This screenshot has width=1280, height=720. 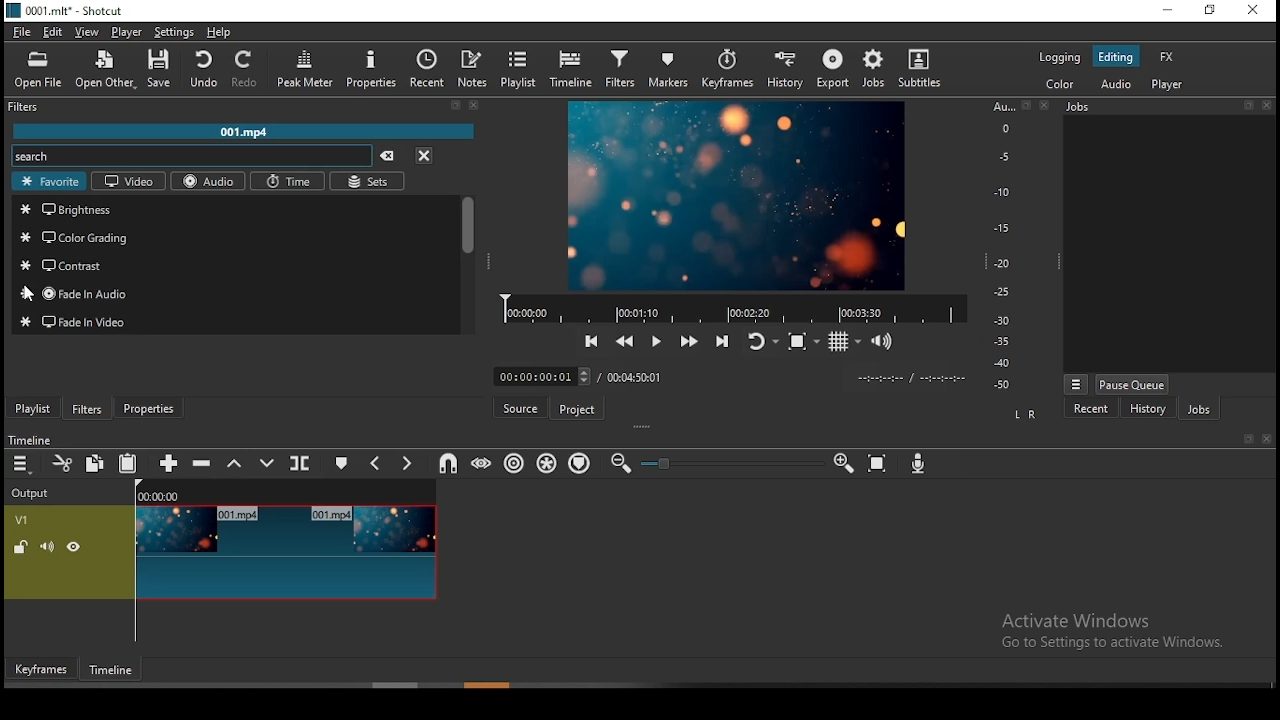 I want to click on close menu, so click(x=427, y=155).